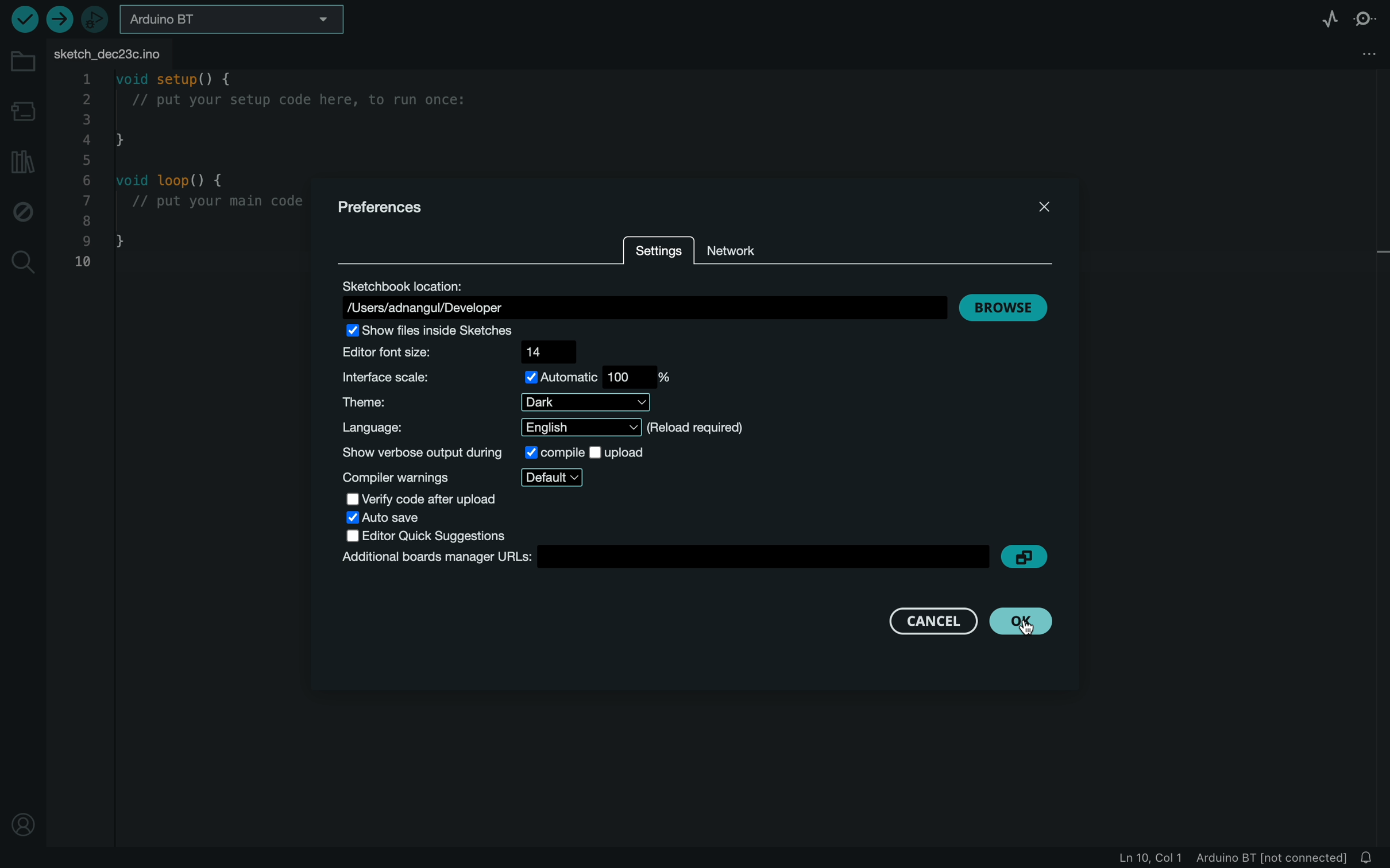  What do you see at coordinates (24, 211) in the screenshot?
I see `debug` at bounding box center [24, 211].